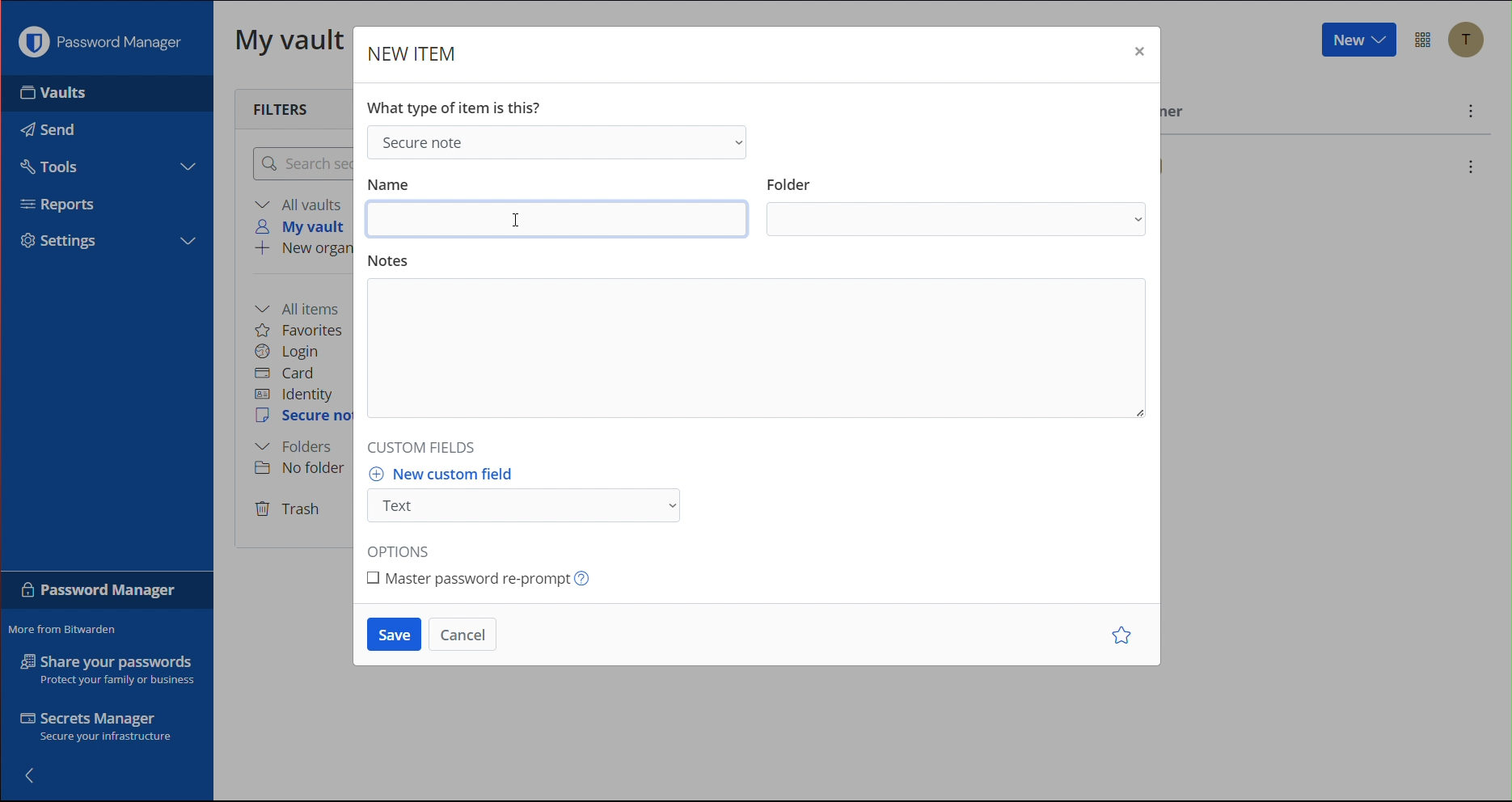  Describe the element at coordinates (294, 447) in the screenshot. I see `Folders` at that location.